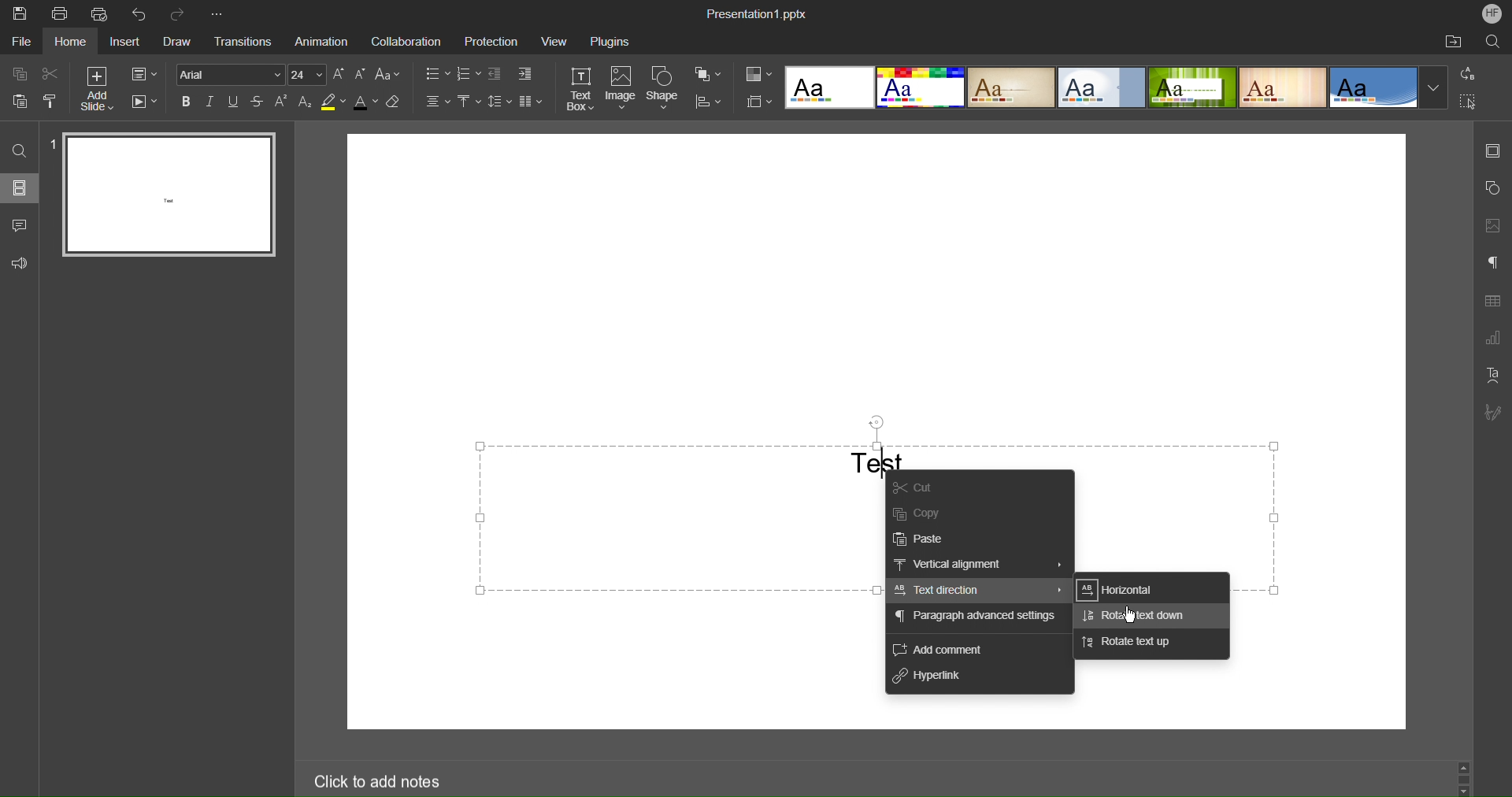 This screenshot has width=1512, height=797. I want to click on Insert, so click(129, 42).